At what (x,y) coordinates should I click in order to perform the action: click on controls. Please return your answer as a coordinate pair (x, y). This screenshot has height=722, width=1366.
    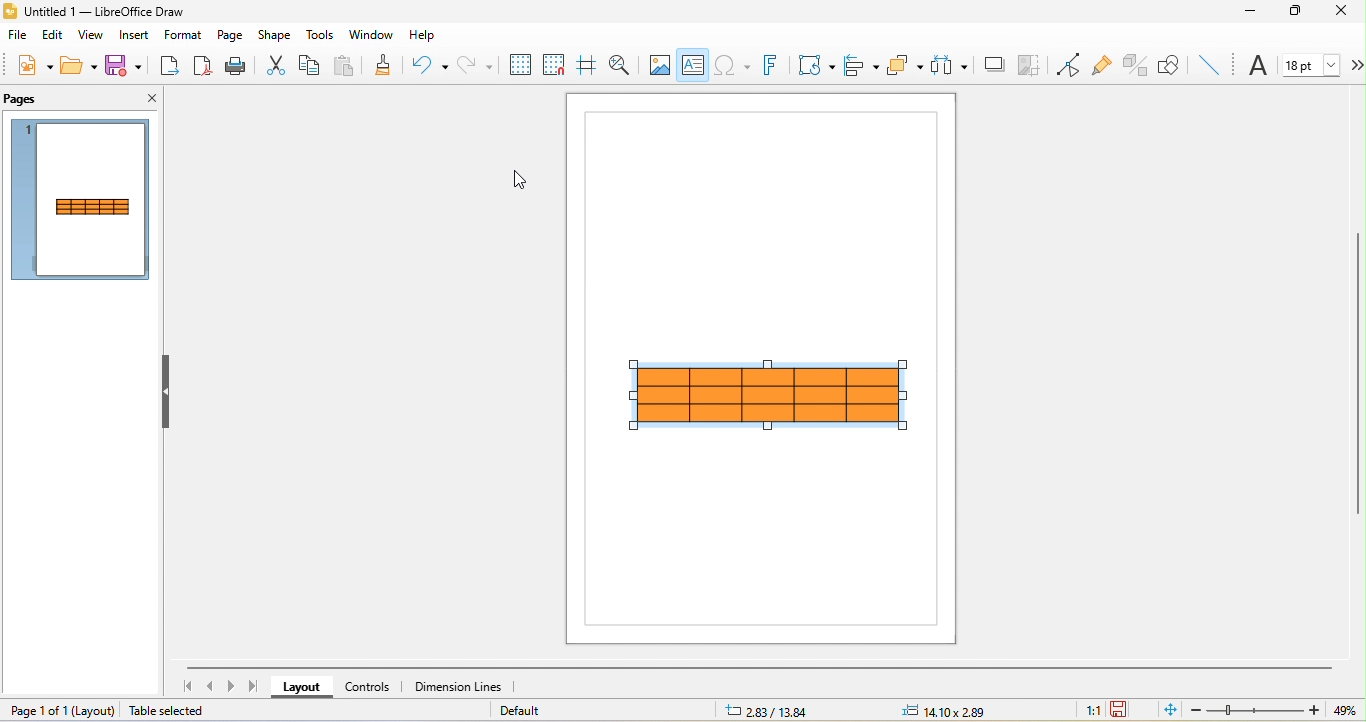
    Looking at the image, I should click on (371, 685).